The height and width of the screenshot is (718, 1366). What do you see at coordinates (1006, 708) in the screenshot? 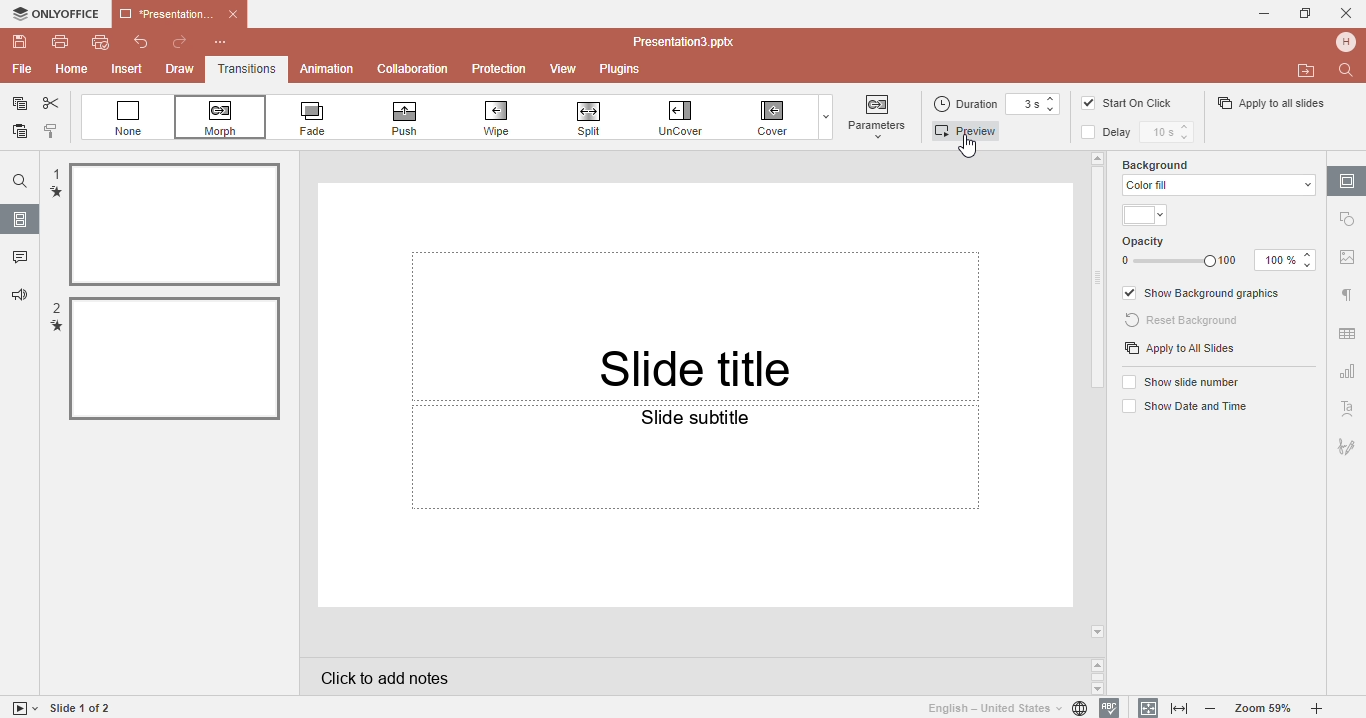
I see `Set document language` at bounding box center [1006, 708].